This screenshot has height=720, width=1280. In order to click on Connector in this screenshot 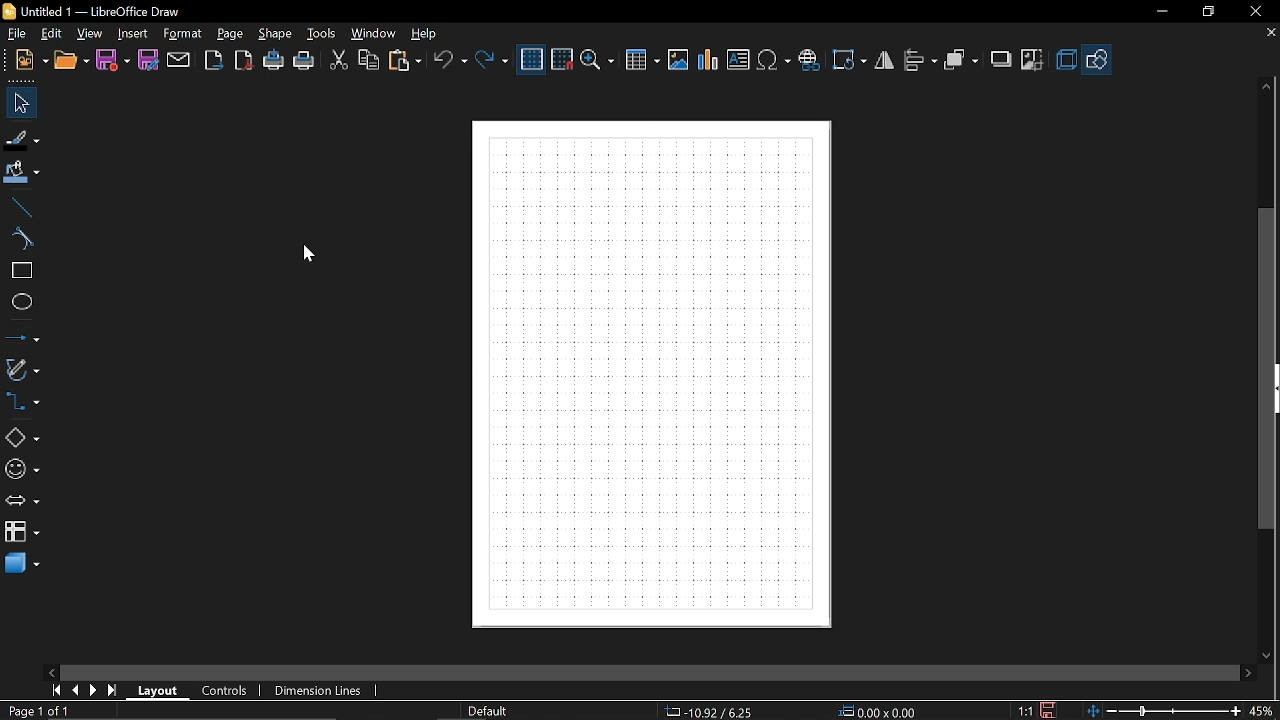, I will do `click(22, 403)`.